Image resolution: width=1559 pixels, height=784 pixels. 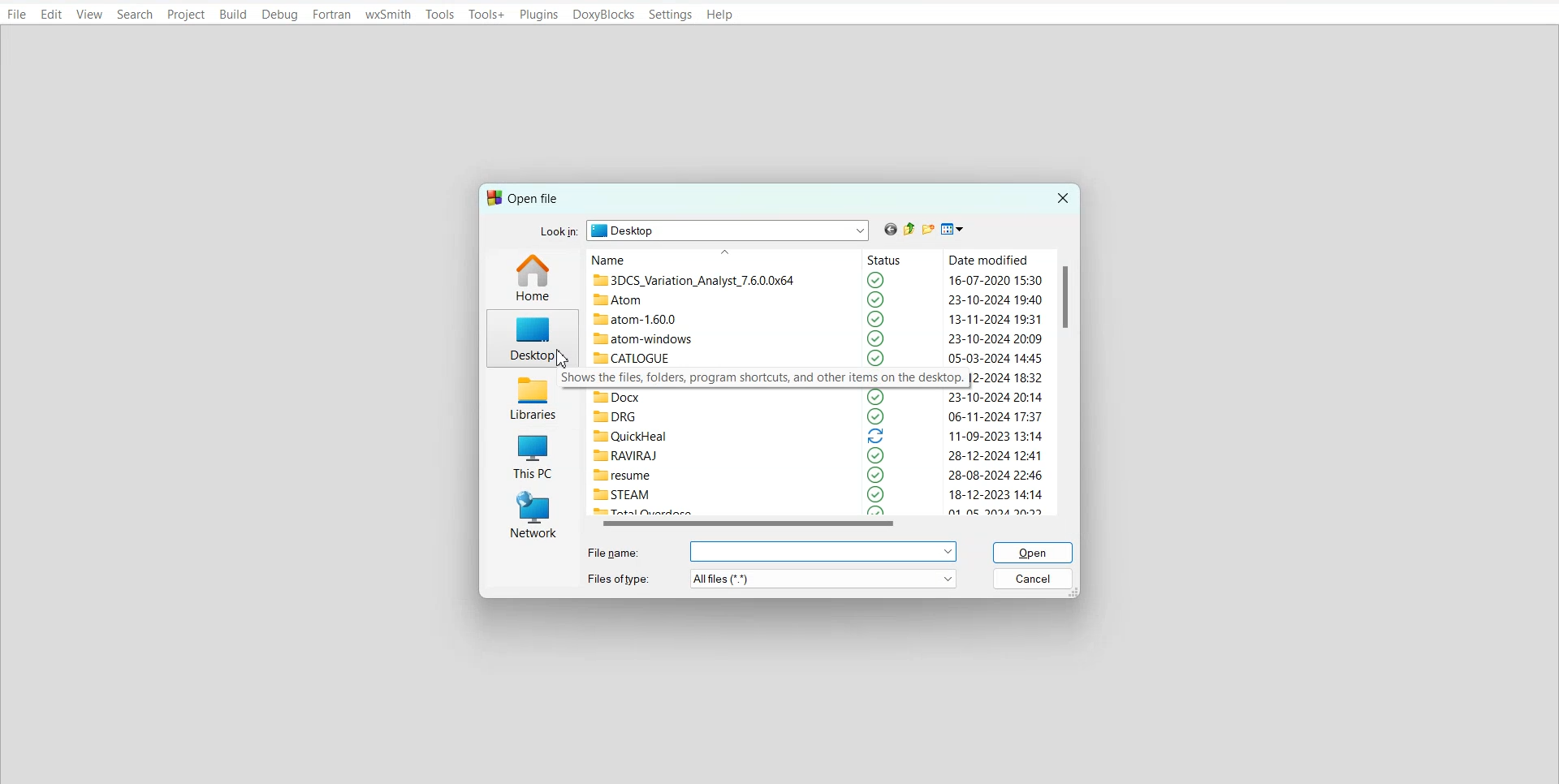 What do you see at coordinates (998, 496) in the screenshot?
I see `18-12-2023 14:14` at bounding box center [998, 496].